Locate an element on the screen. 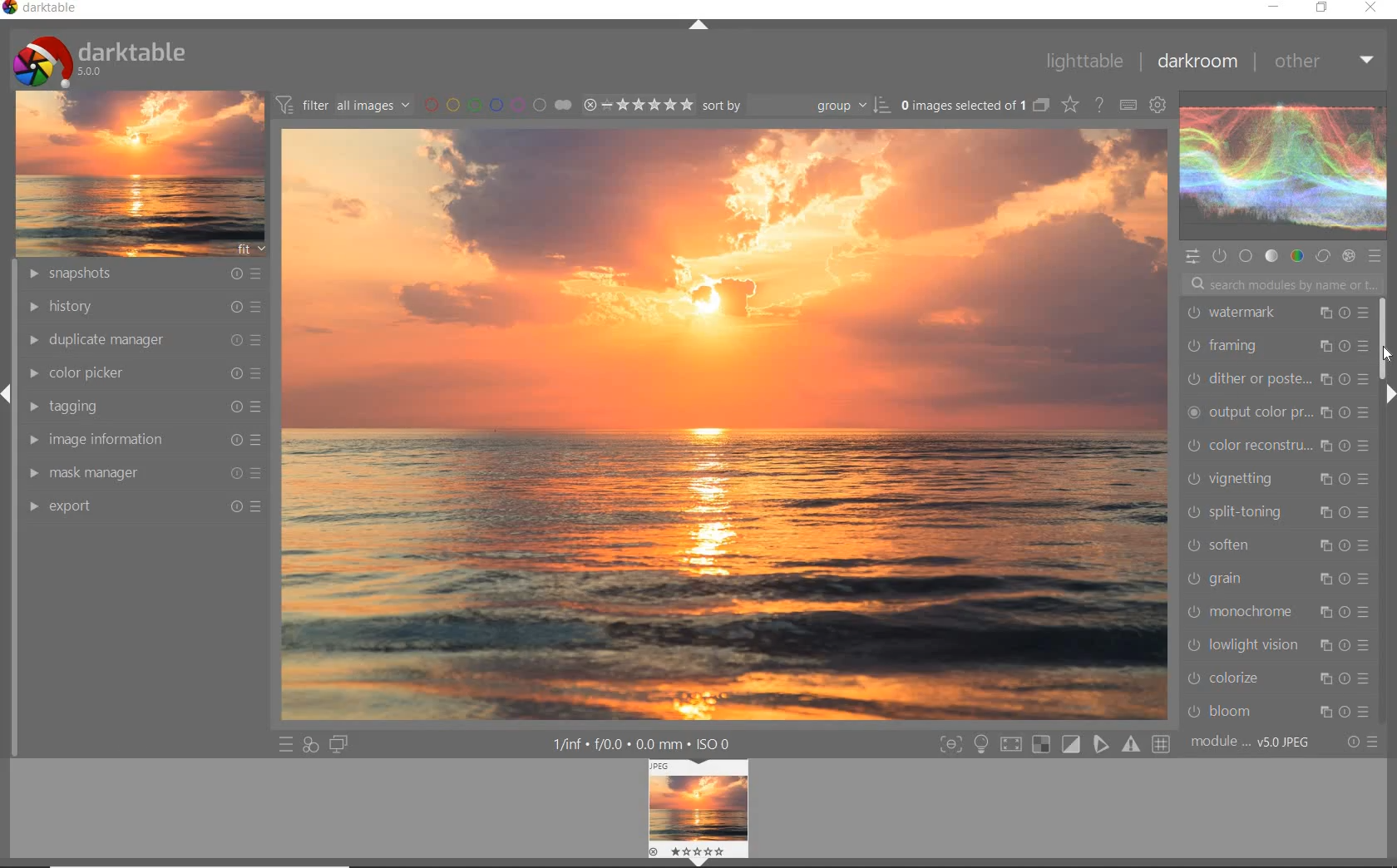  IMAGE PREVIEW is located at coordinates (698, 814).